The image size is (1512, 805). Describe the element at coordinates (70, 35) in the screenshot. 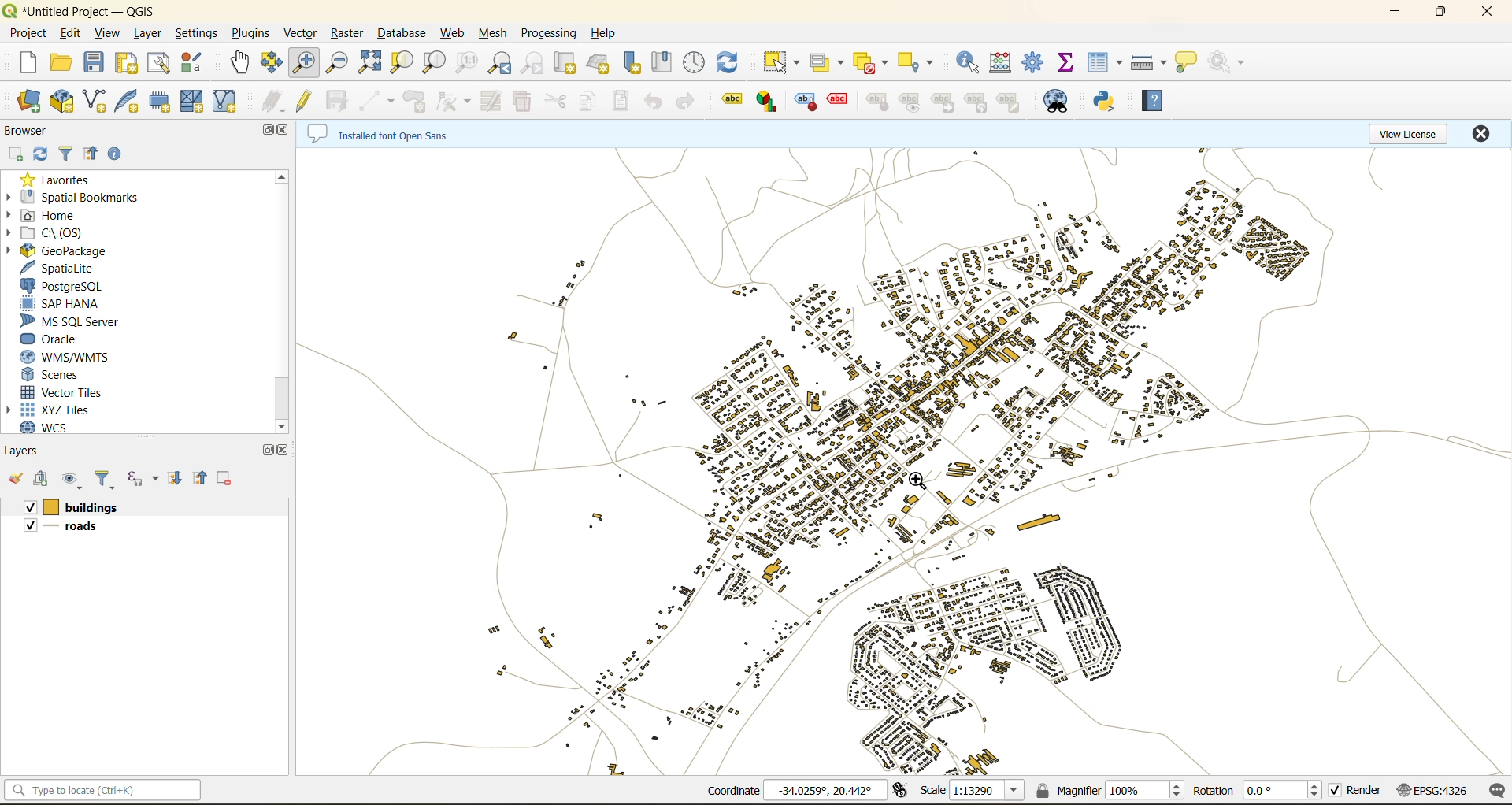

I see `edit` at that location.